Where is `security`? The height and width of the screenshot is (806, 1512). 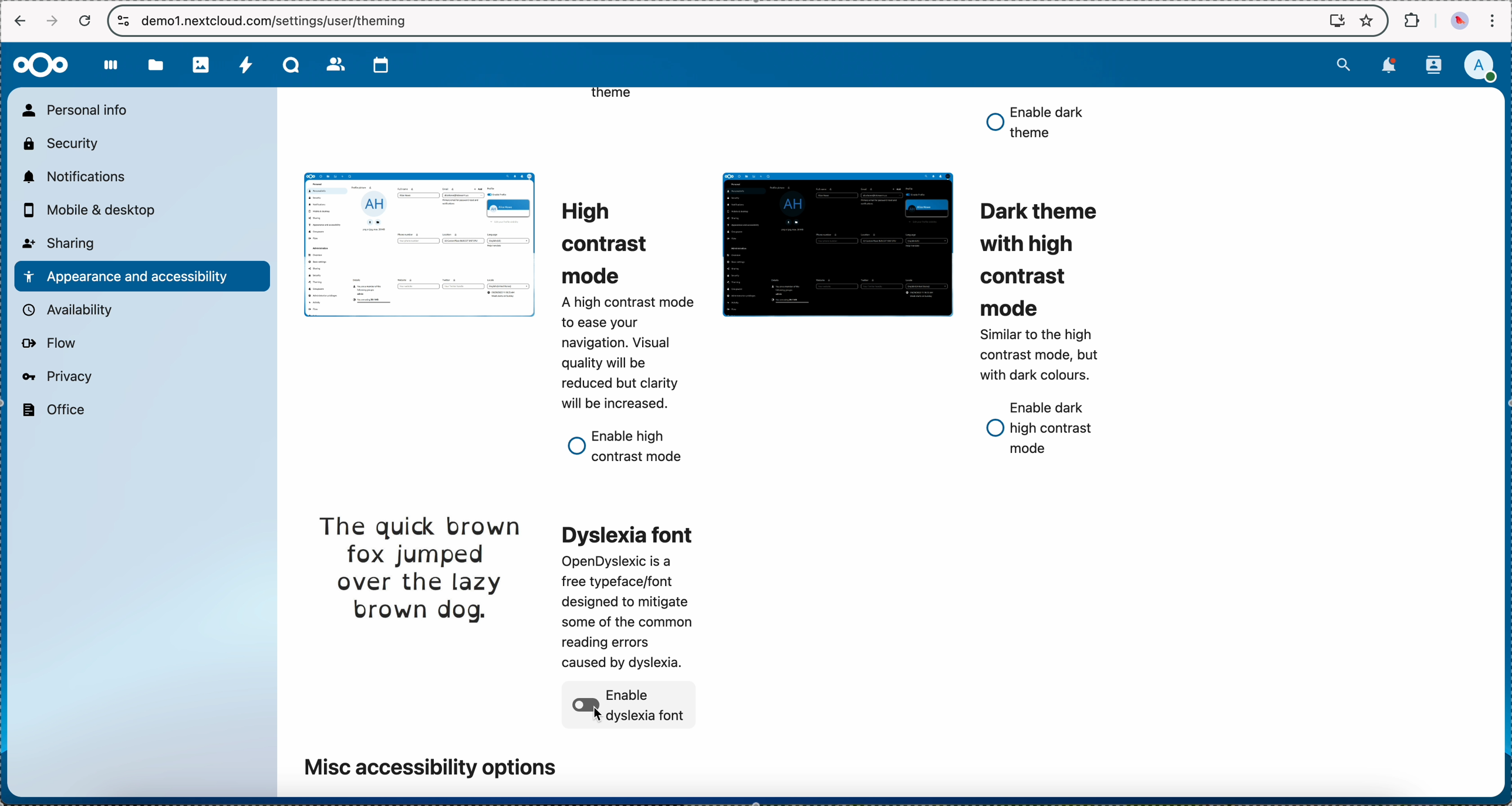
security is located at coordinates (62, 144).